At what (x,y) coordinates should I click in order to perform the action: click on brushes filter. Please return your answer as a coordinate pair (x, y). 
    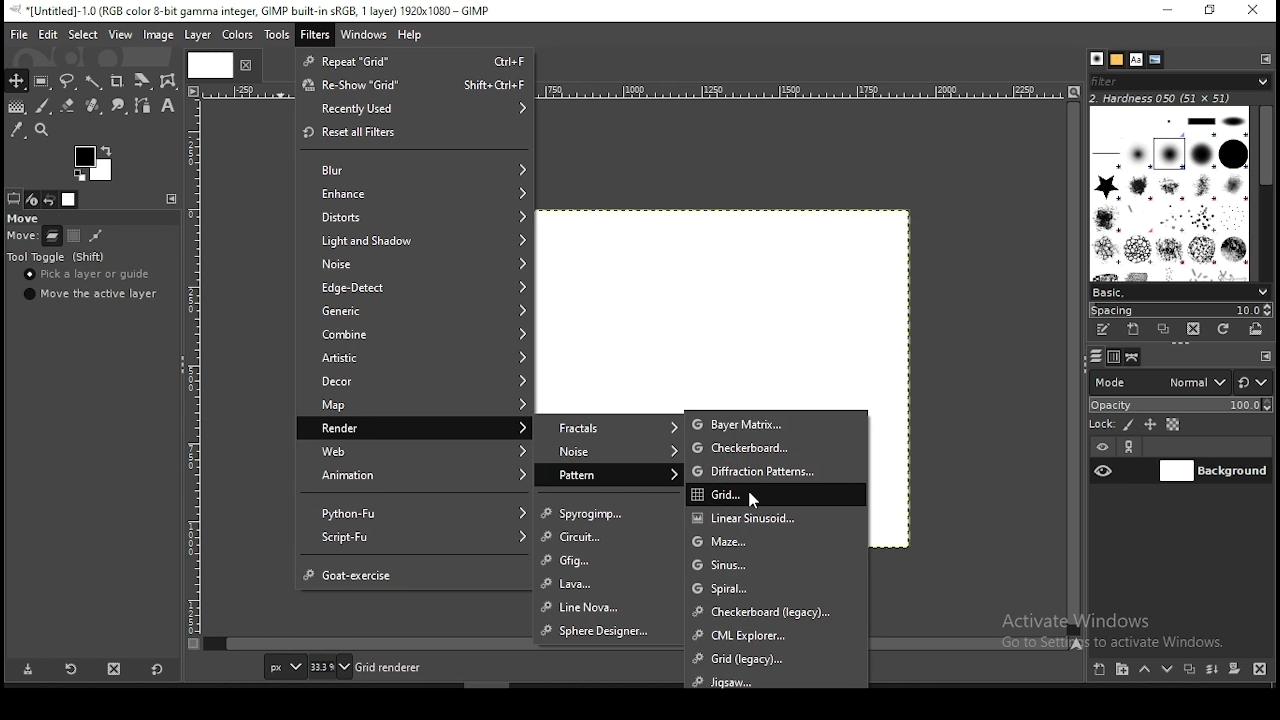
    Looking at the image, I should click on (1180, 81).